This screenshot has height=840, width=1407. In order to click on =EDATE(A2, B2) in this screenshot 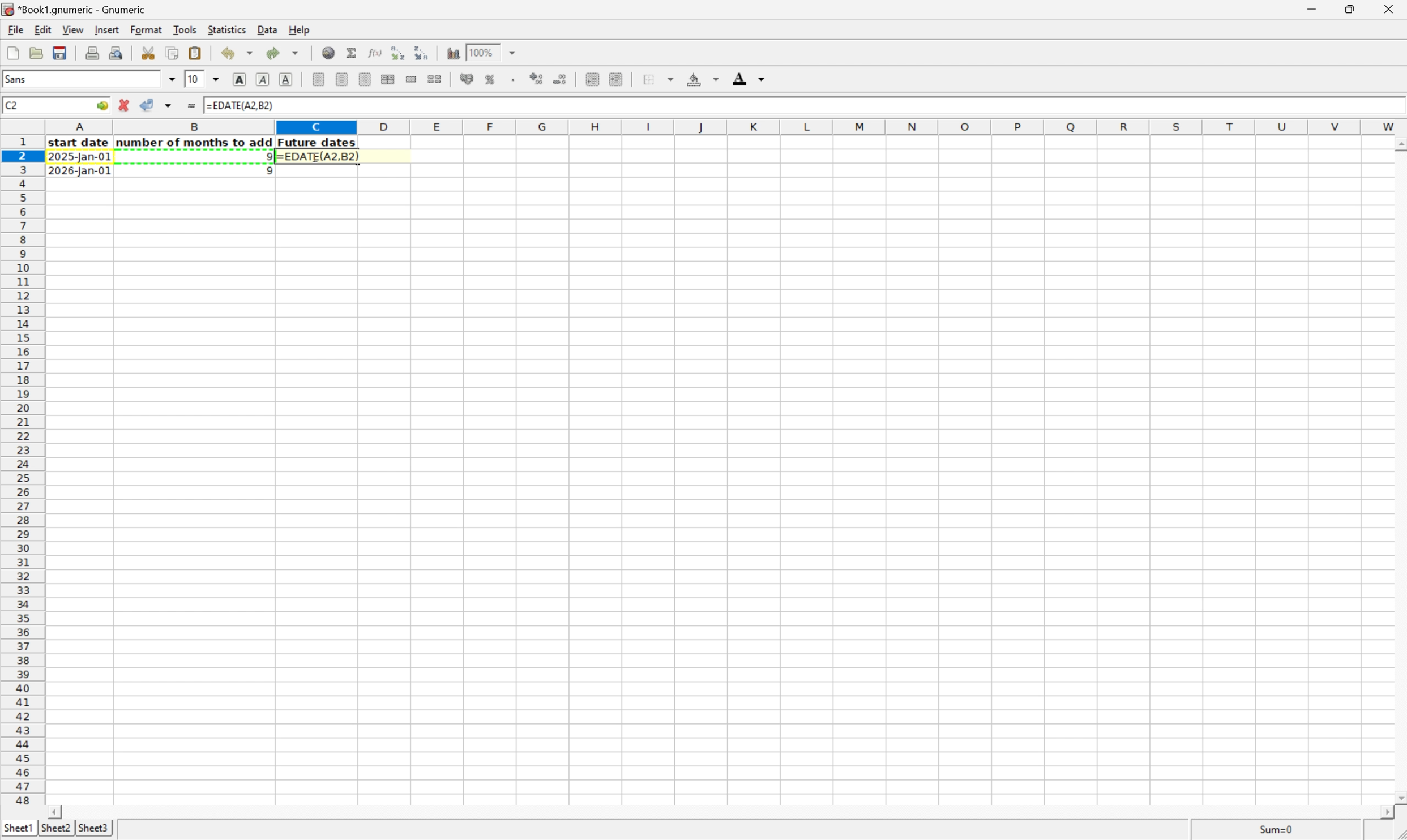, I will do `click(242, 106)`.